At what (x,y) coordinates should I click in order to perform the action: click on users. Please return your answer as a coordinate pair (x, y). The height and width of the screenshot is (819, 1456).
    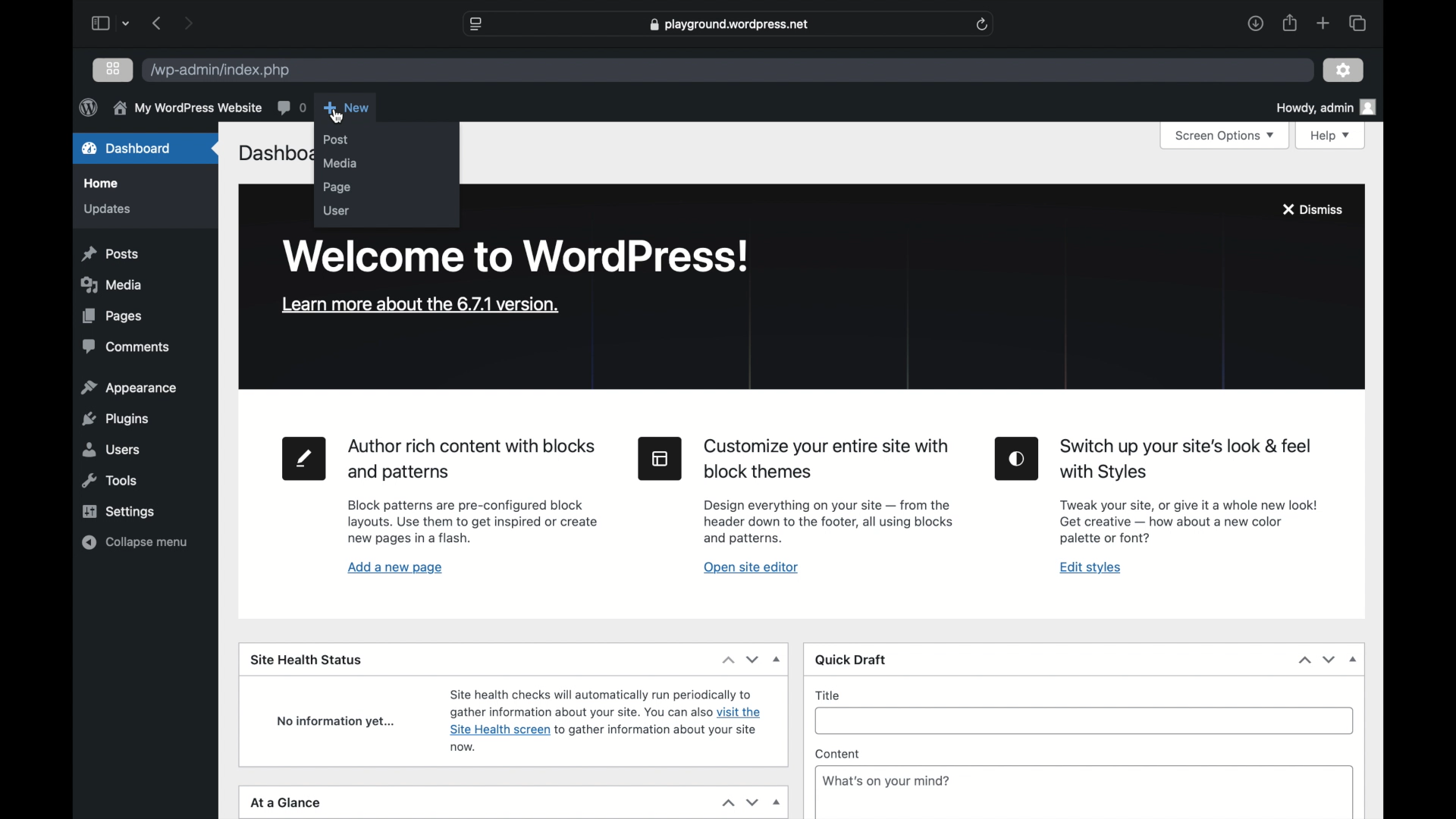
    Looking at the image, I should click on (112, 450).